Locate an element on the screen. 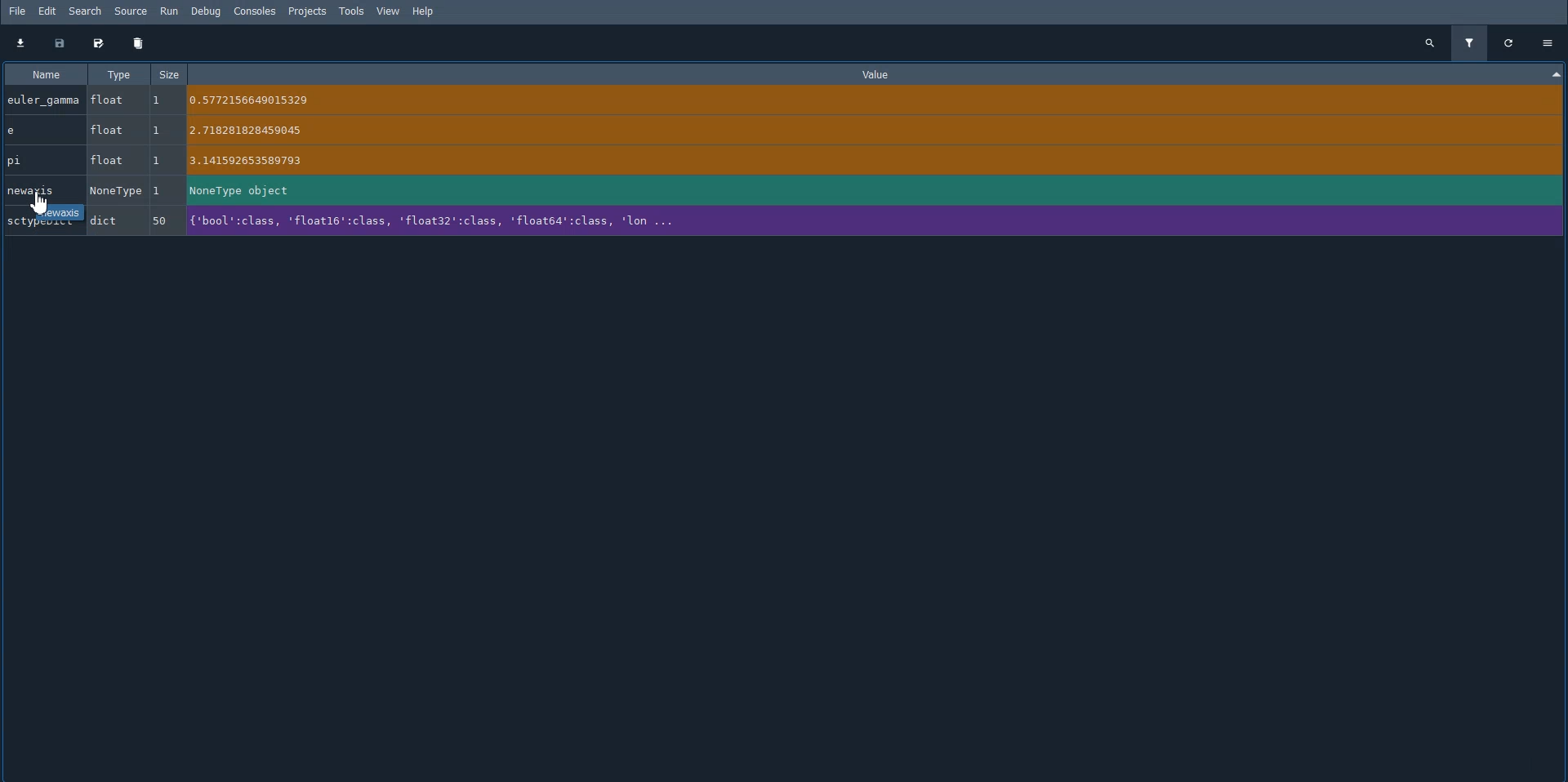  Save data as is located at coordinates (99, 45).